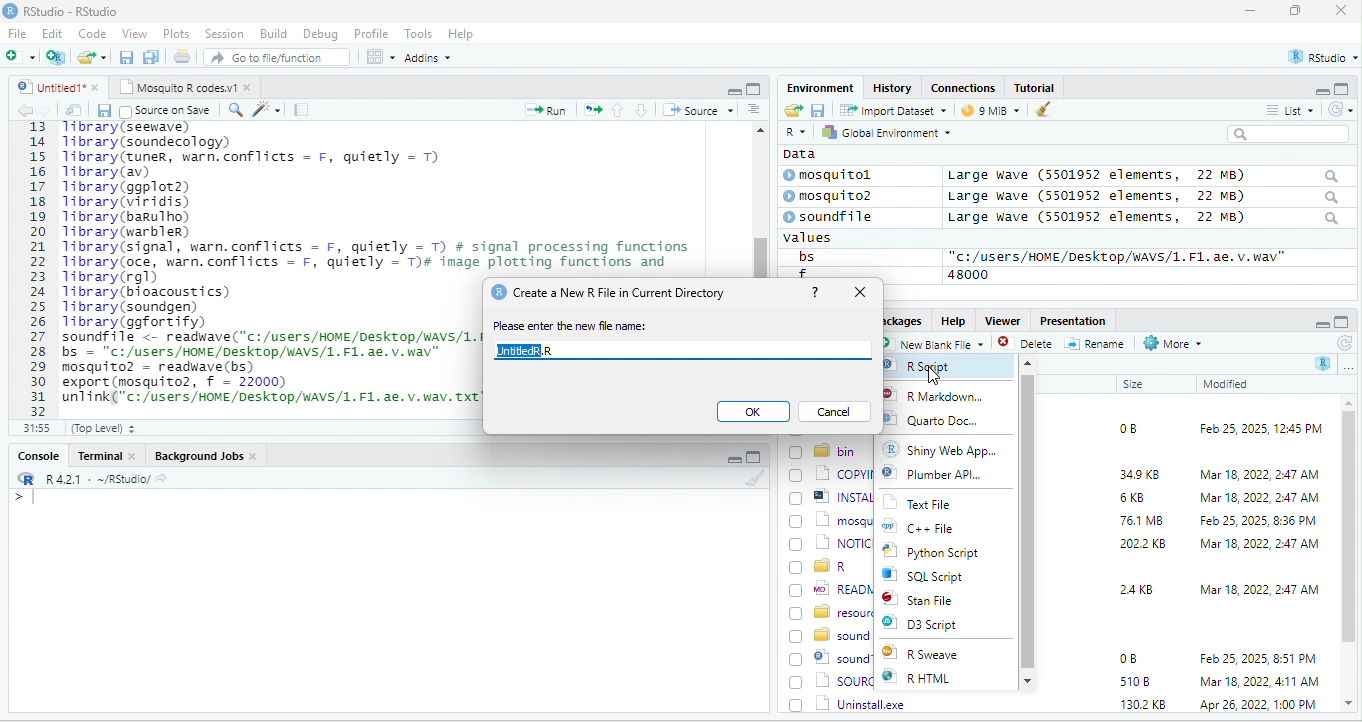 Image resolution: width=1362 pixels, height=722 pixels. I want to click on 24KB, so click(1133, 588).